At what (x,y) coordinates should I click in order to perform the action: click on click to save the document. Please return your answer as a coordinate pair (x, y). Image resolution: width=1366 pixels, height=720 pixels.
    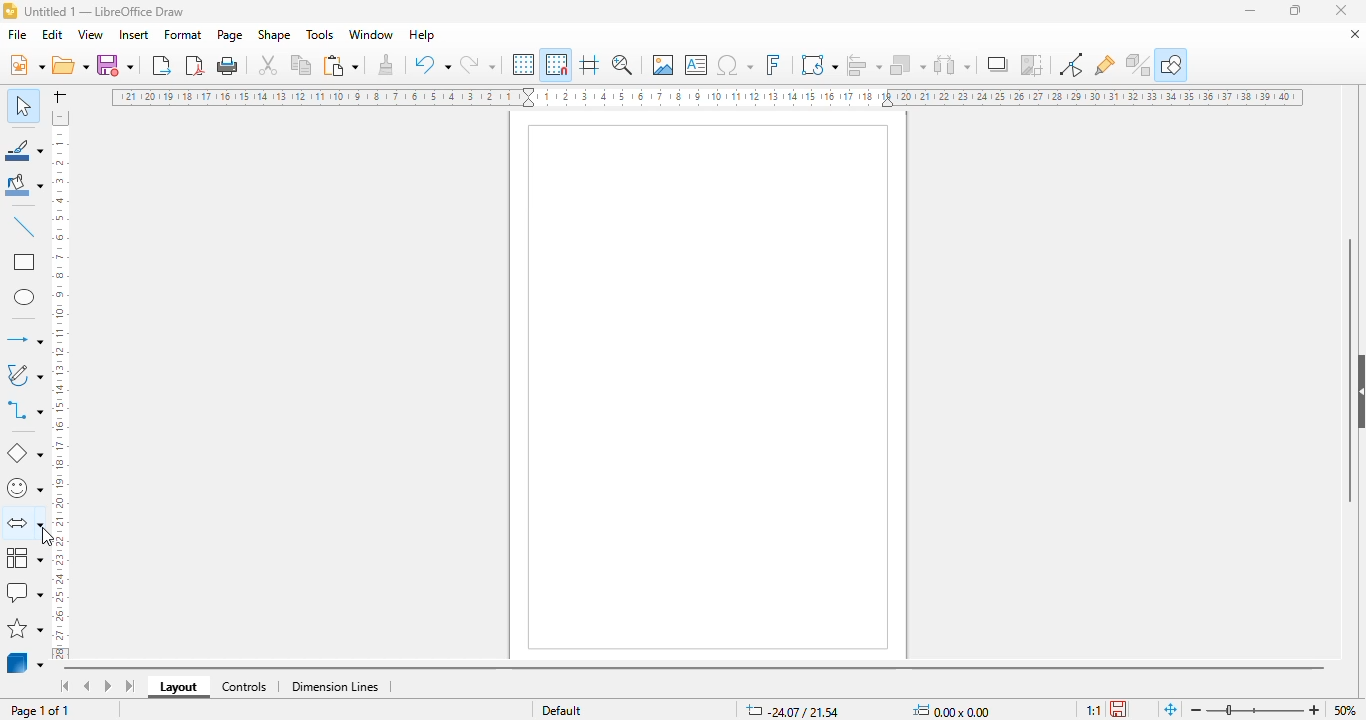
    Looking at the image, I should click on (1118, 709).